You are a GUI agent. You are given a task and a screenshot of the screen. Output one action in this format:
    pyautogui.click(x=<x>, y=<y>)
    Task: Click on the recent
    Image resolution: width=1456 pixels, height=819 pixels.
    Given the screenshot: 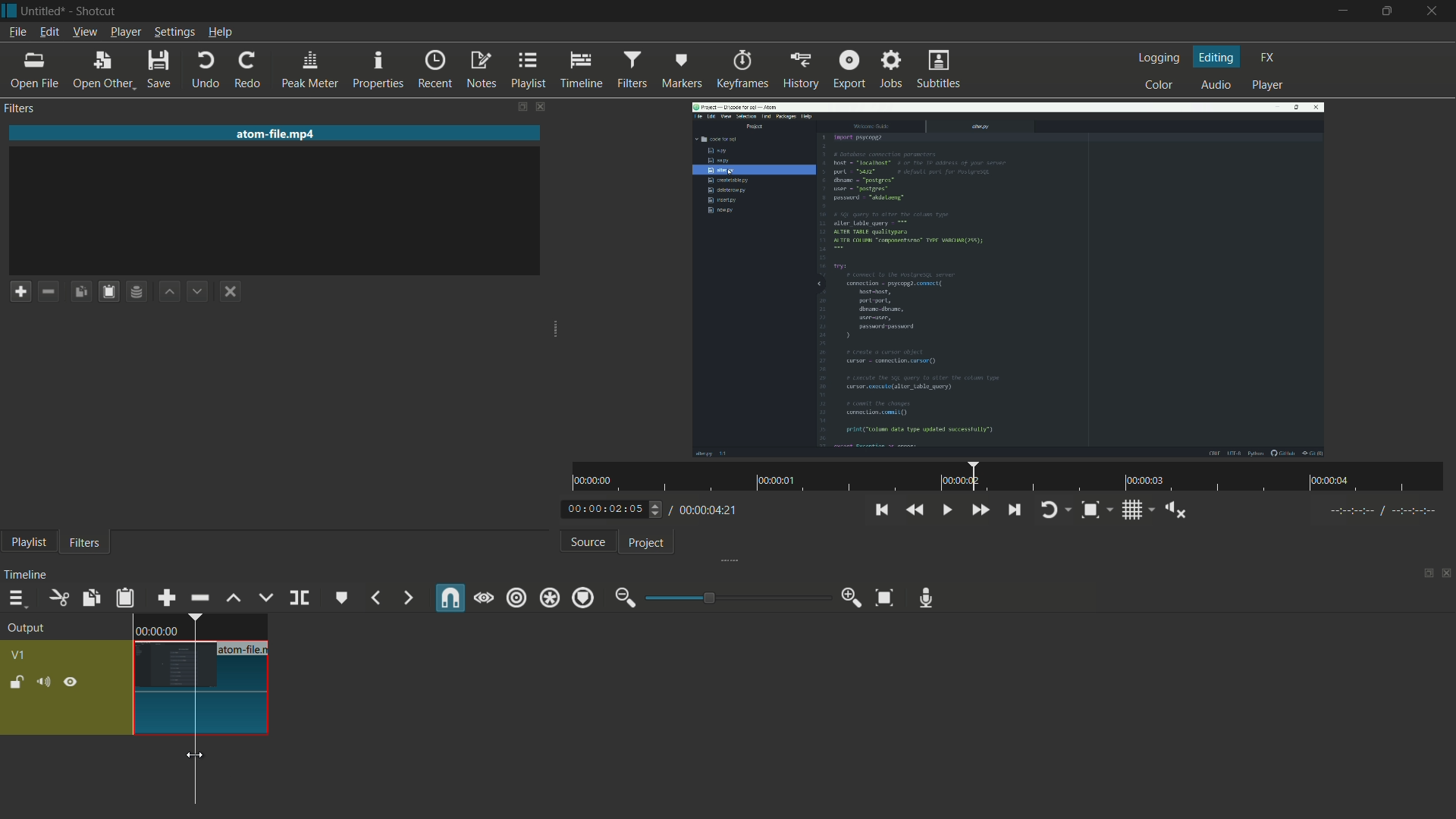 What is the action you would take?
    pyautogui.click(x=434, y=69)
    